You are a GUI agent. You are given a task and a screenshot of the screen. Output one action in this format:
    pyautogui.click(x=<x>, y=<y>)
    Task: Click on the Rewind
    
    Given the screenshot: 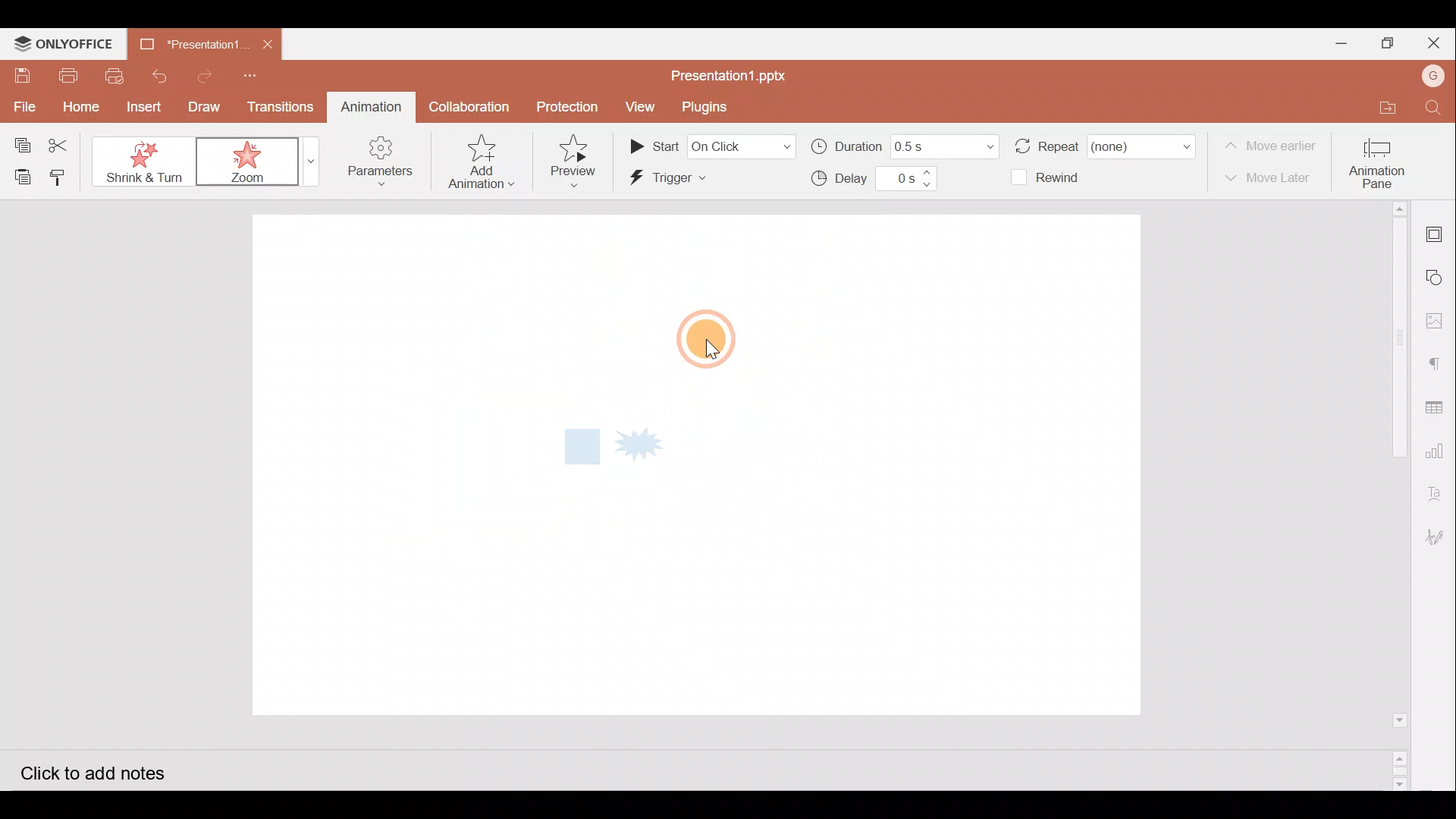 What is the action you would take?
    pyautogui.click(x=1054, y=179)
    